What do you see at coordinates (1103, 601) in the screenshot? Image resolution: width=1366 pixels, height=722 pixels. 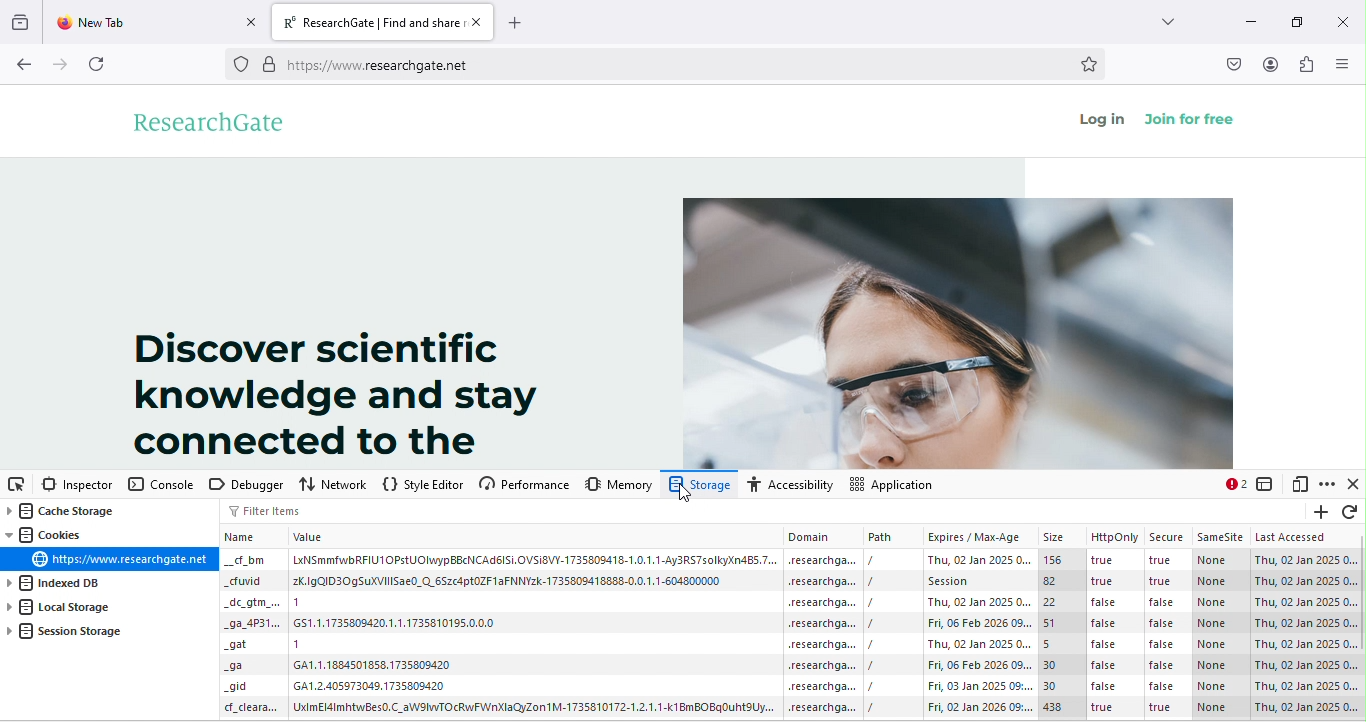 I see `false` at bounding box center [1103, 601].